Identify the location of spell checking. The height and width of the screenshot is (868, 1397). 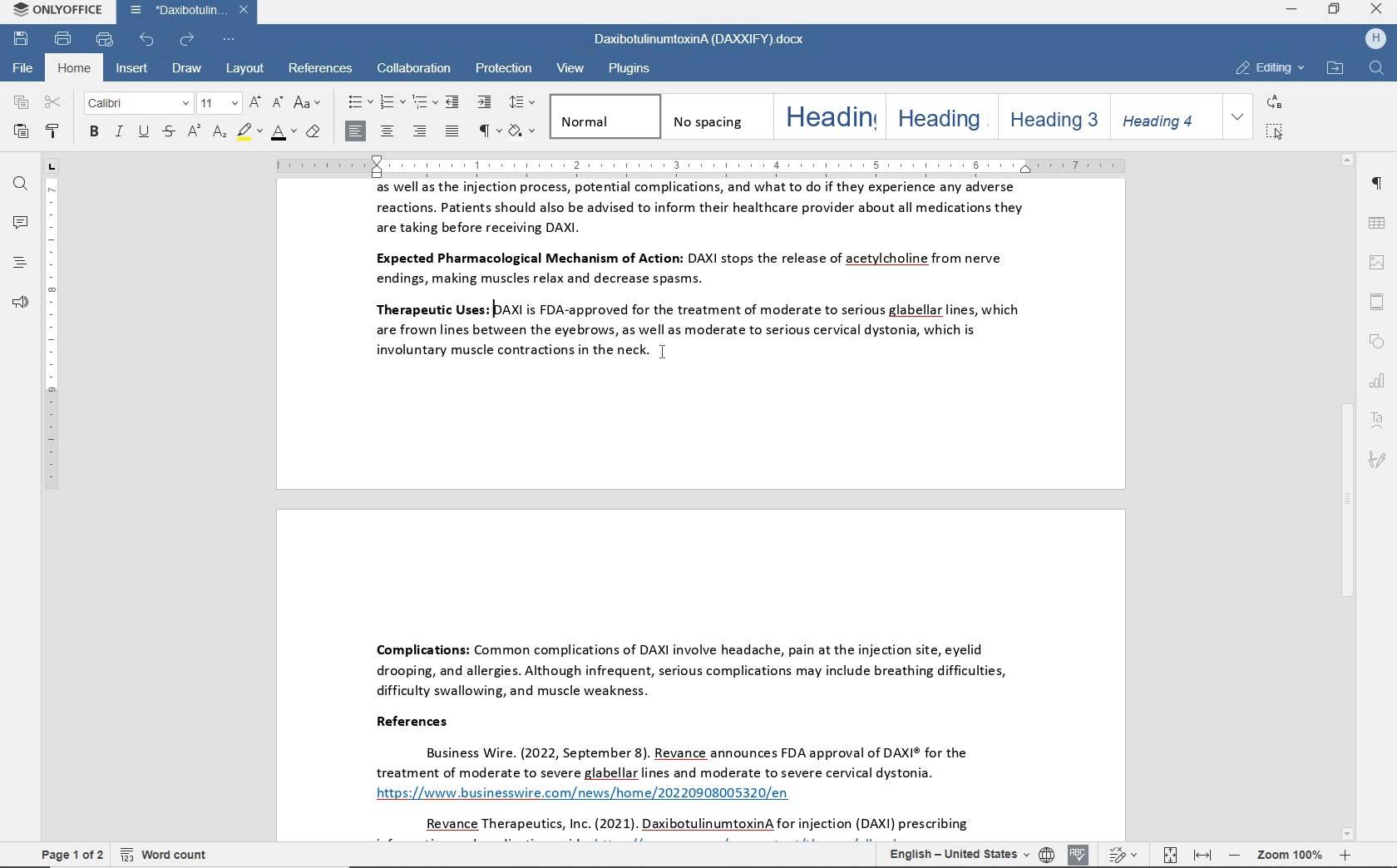
(1078, 854).